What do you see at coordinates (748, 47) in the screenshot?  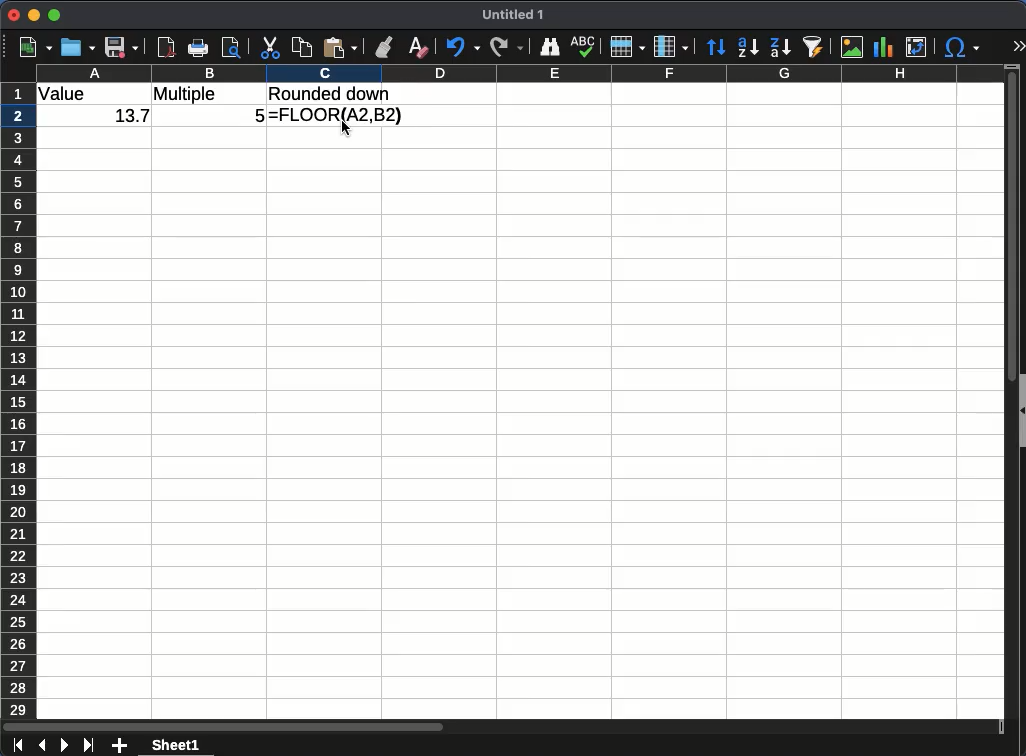 I see `ascending` at bounding box center [748, 47].